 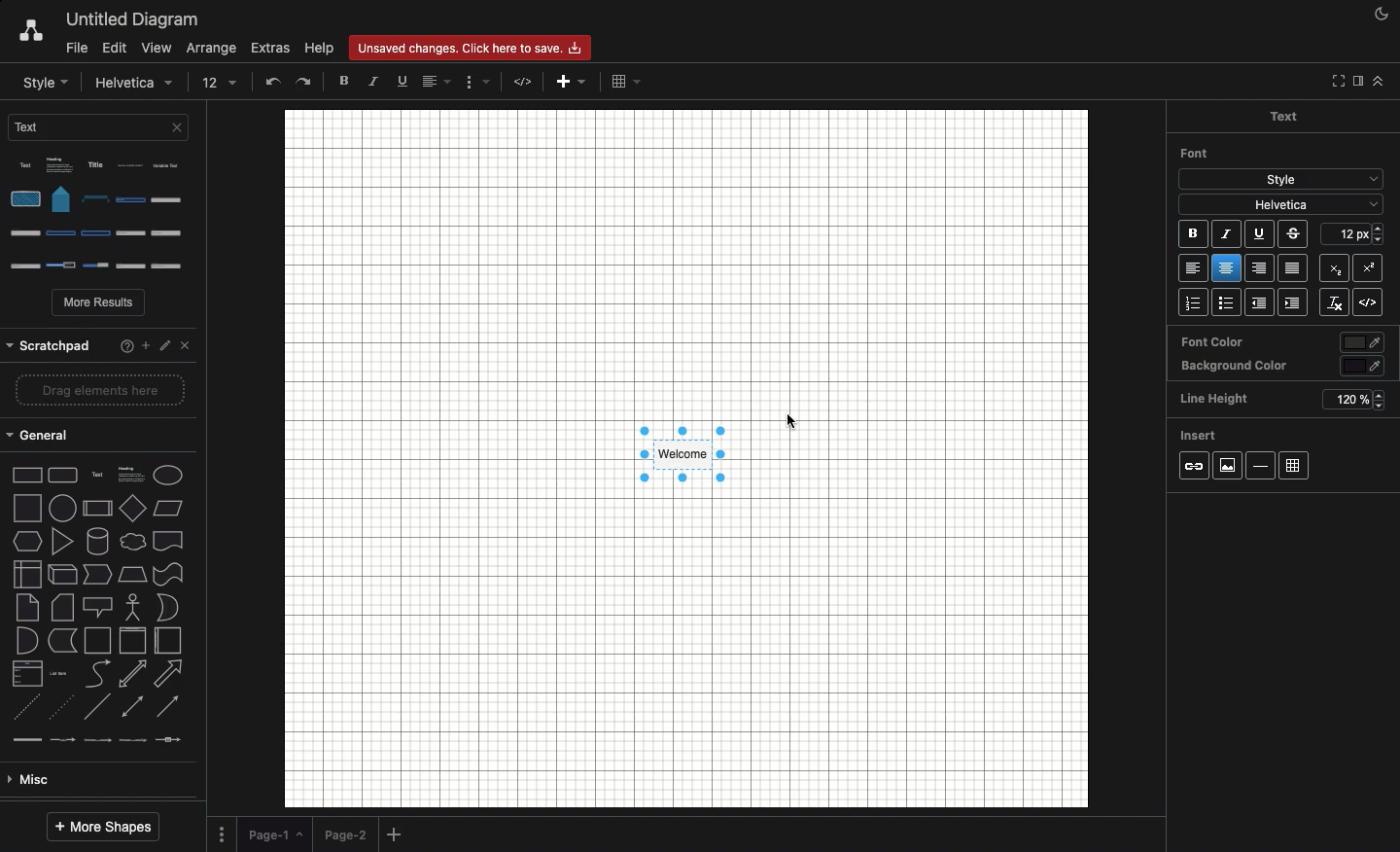 What do you see at coordinates (1353, 235) in the screenshot?
I see `` at bounding box center [1353, 235].